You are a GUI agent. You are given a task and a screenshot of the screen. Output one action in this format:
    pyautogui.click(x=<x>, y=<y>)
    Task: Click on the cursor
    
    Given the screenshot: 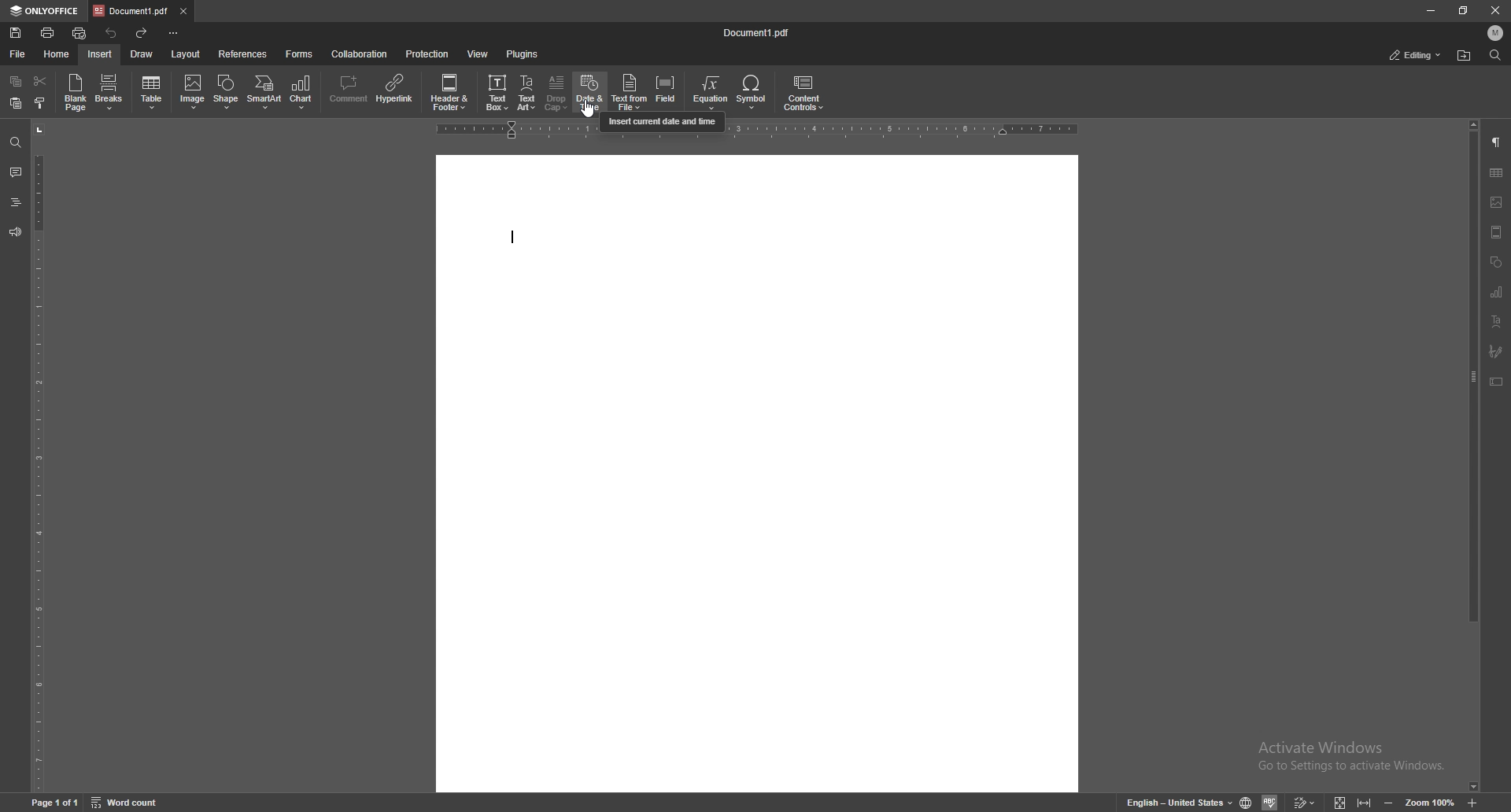 What is the action you would take?
    pyautogui.click(x=586, y=113)
    